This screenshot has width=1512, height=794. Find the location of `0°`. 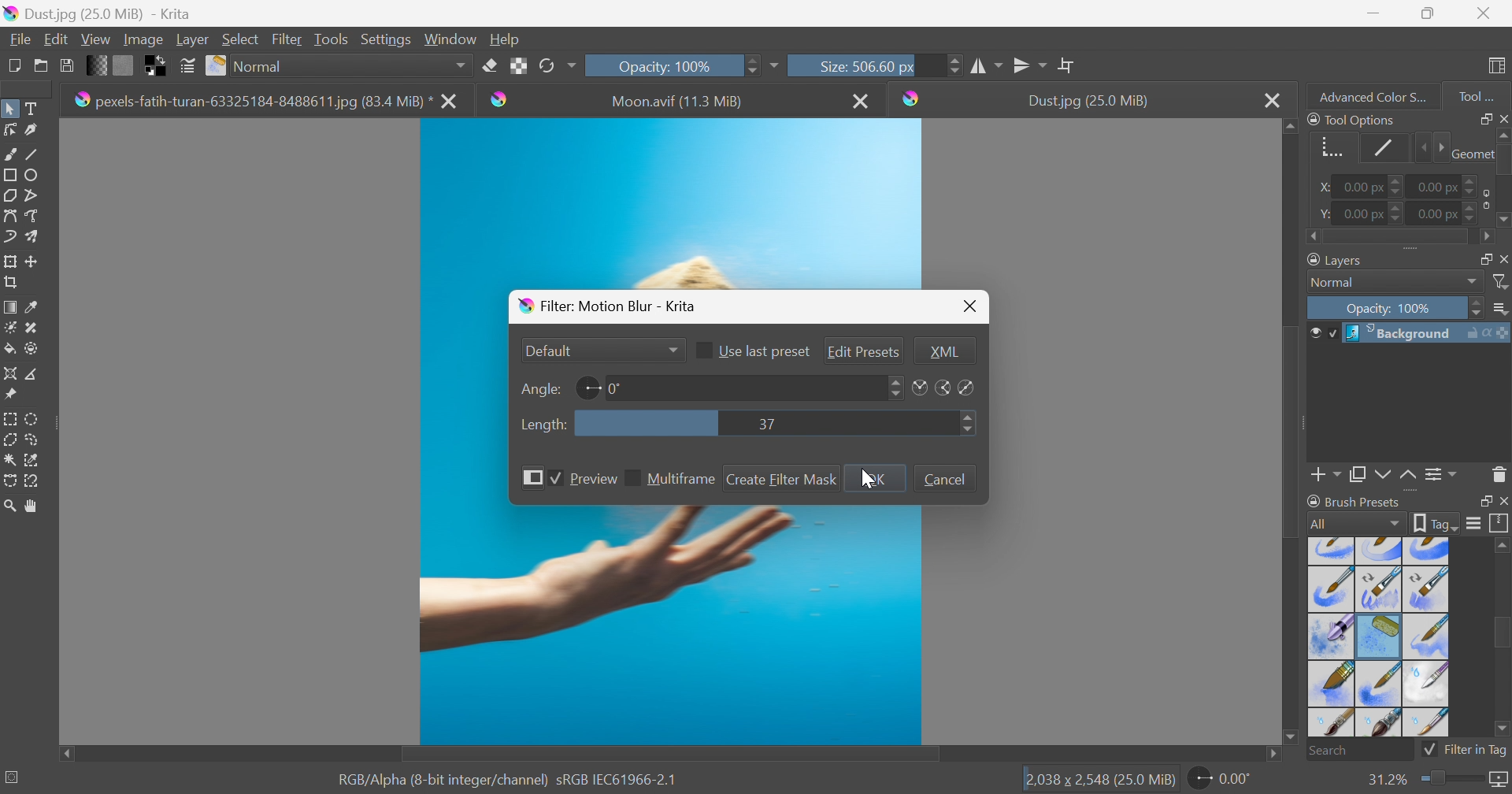

0° is located at coordinates (615, 388).